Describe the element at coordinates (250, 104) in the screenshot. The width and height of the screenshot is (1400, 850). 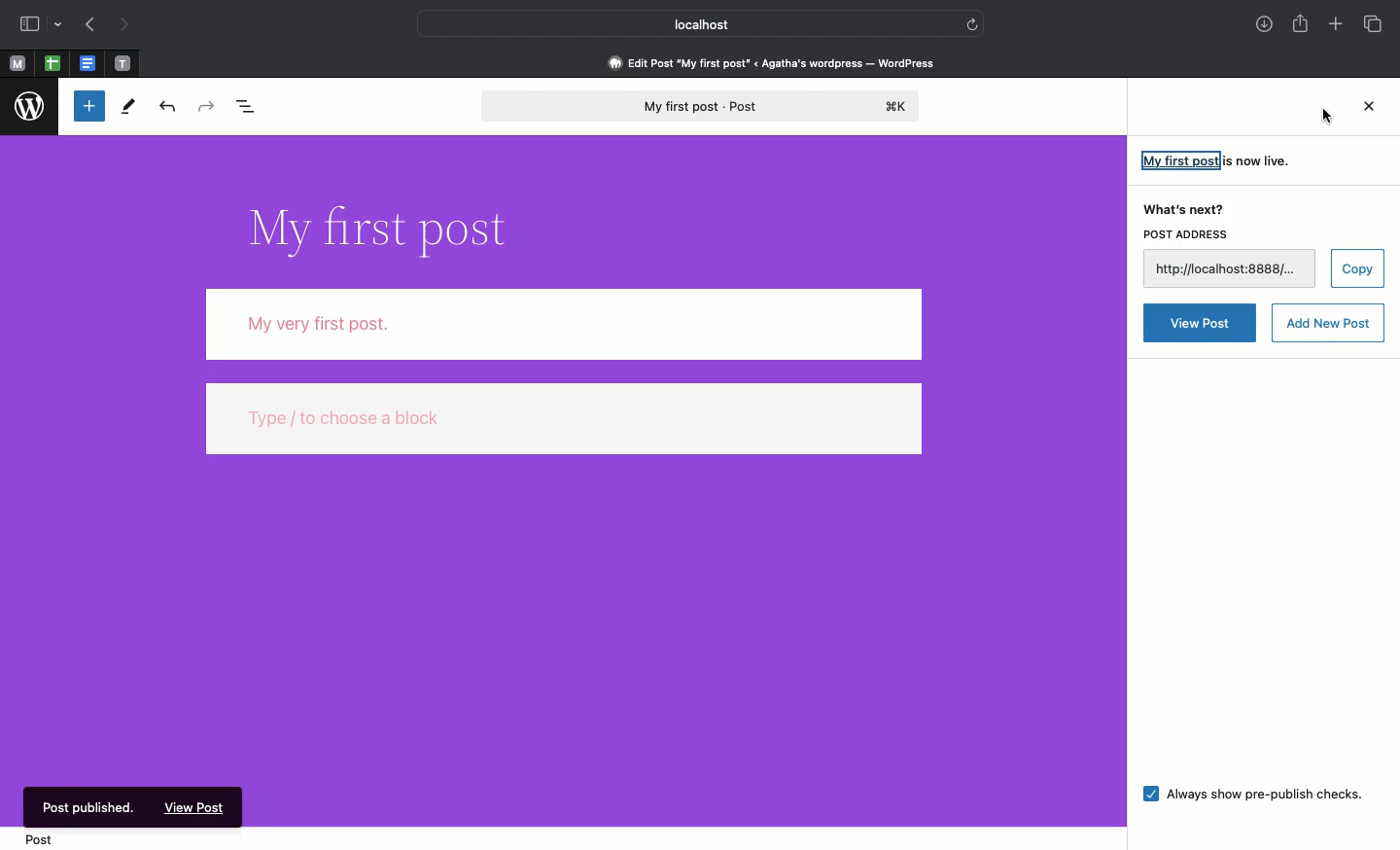
I see `Document overview` at that location.